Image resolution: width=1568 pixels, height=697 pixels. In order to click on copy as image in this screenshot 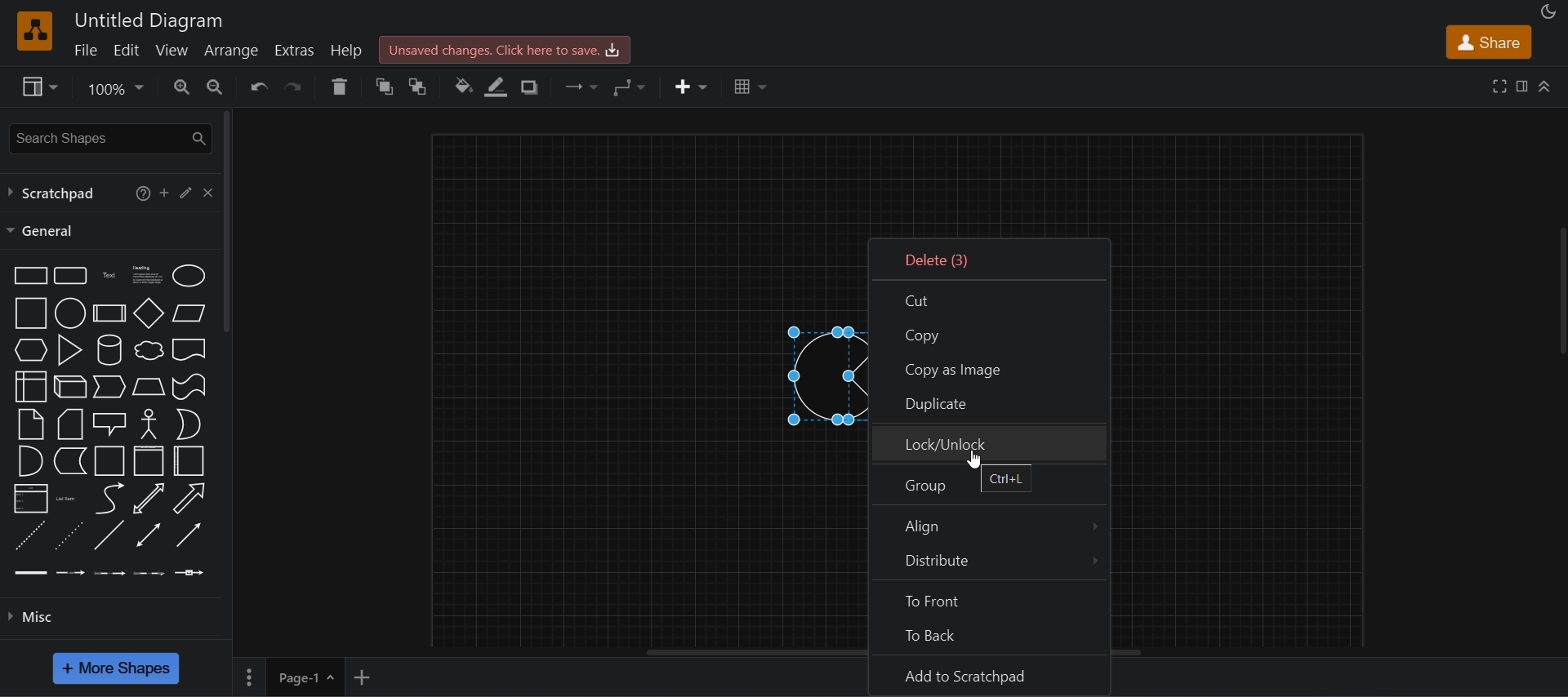, I will do `click(991, 366)`.